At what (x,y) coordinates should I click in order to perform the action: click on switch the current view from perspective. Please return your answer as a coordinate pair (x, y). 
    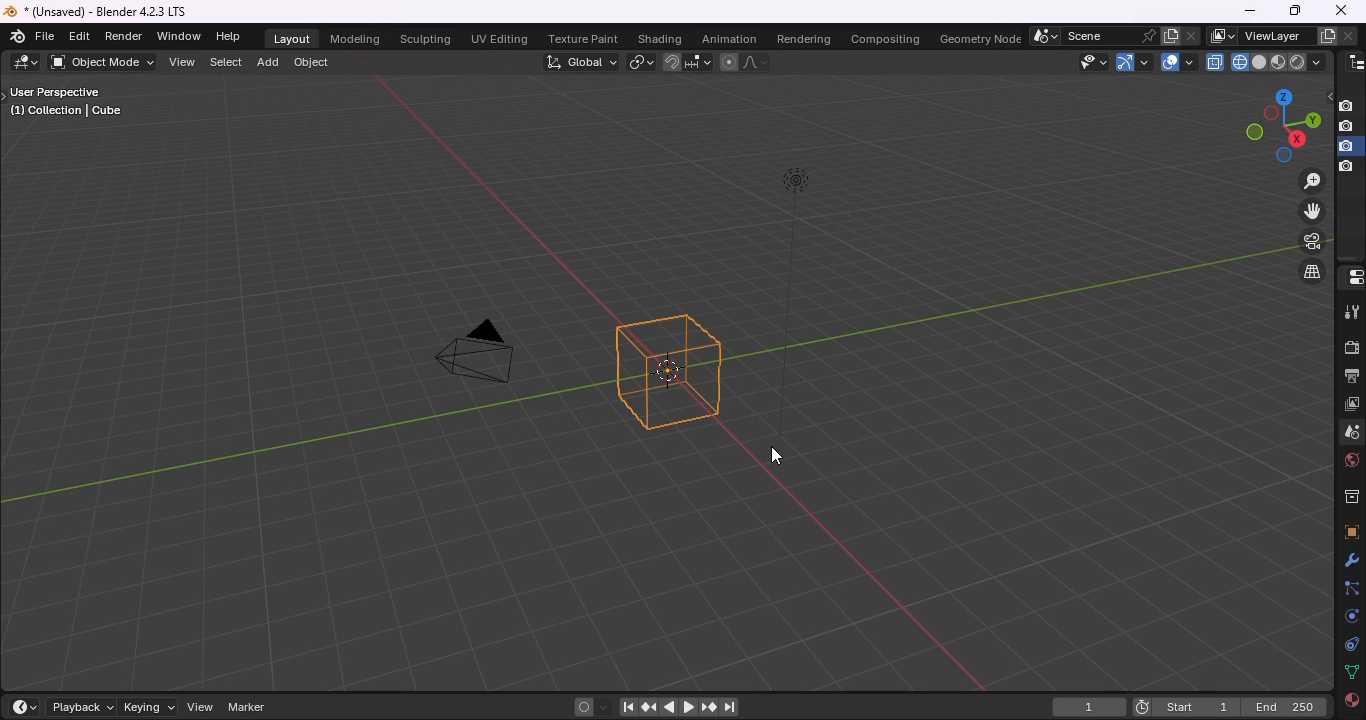
    Looking at the image, I should click on (1312, 272).